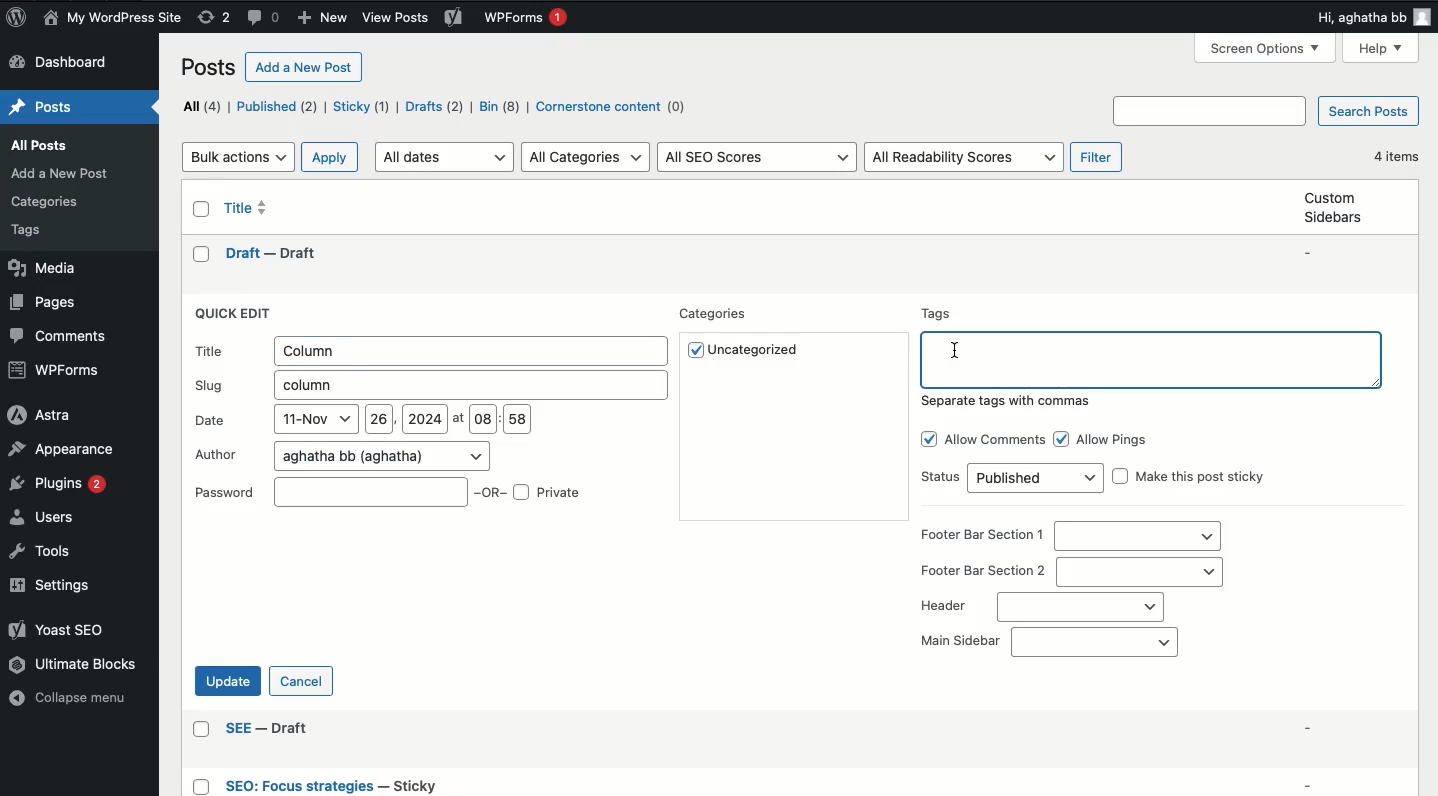  Describe the element at coordinates (1190, 474) in the screenshot. I see `Make this post sticky` at that location.